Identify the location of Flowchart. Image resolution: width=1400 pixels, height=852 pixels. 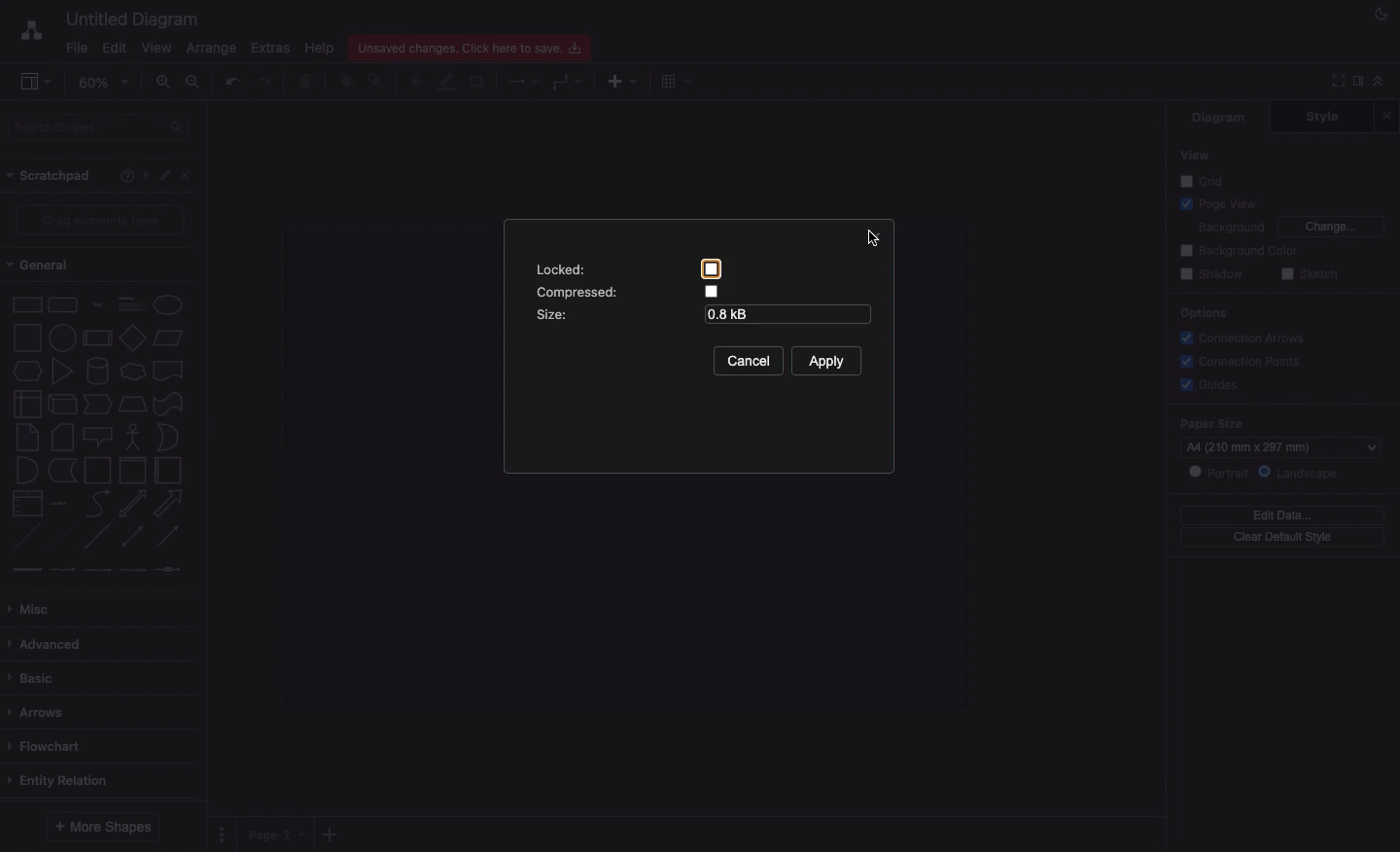
(46, 746).